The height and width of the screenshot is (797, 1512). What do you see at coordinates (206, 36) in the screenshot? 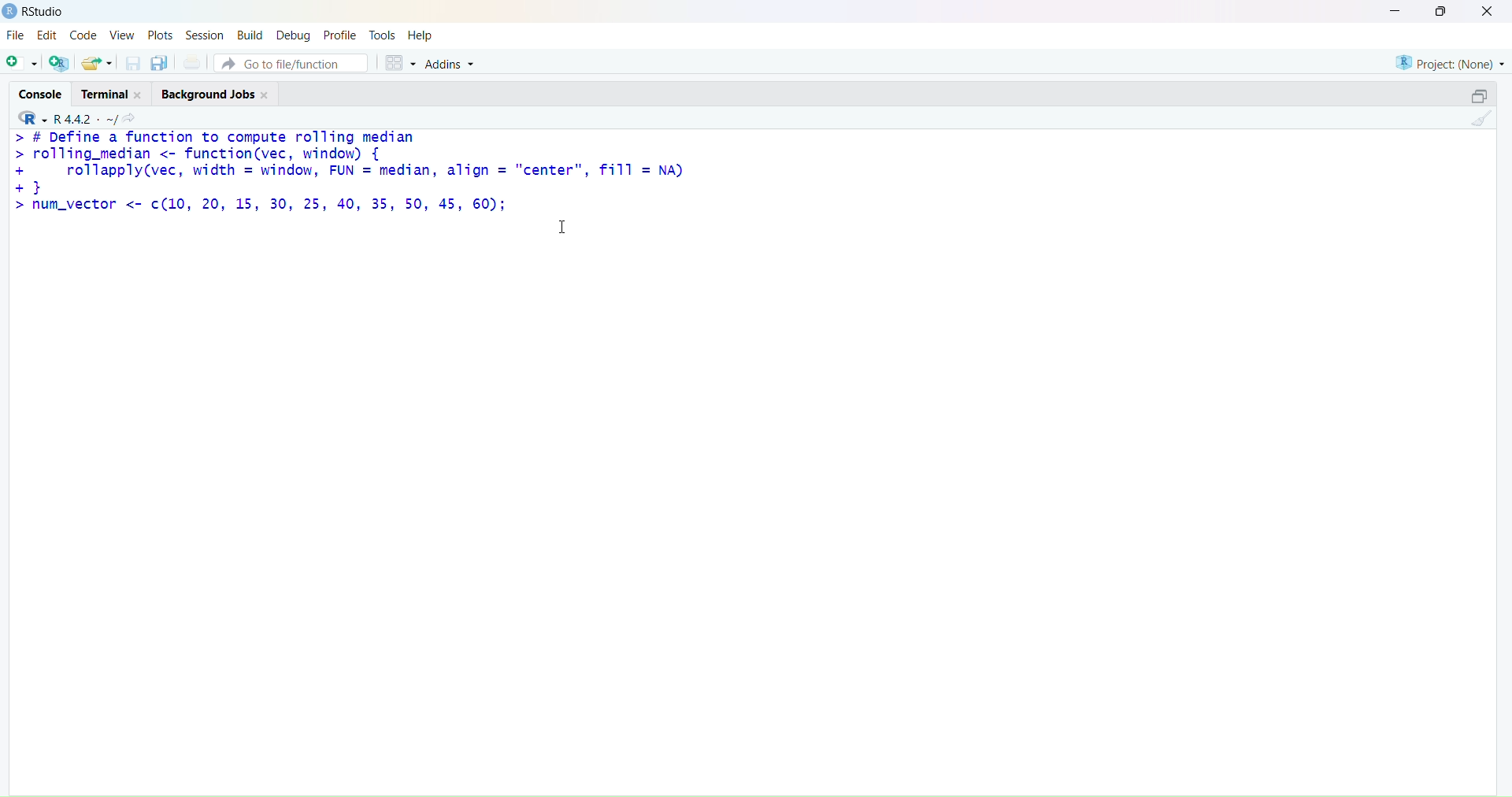
I see `session` at bounding box center [206, 36].